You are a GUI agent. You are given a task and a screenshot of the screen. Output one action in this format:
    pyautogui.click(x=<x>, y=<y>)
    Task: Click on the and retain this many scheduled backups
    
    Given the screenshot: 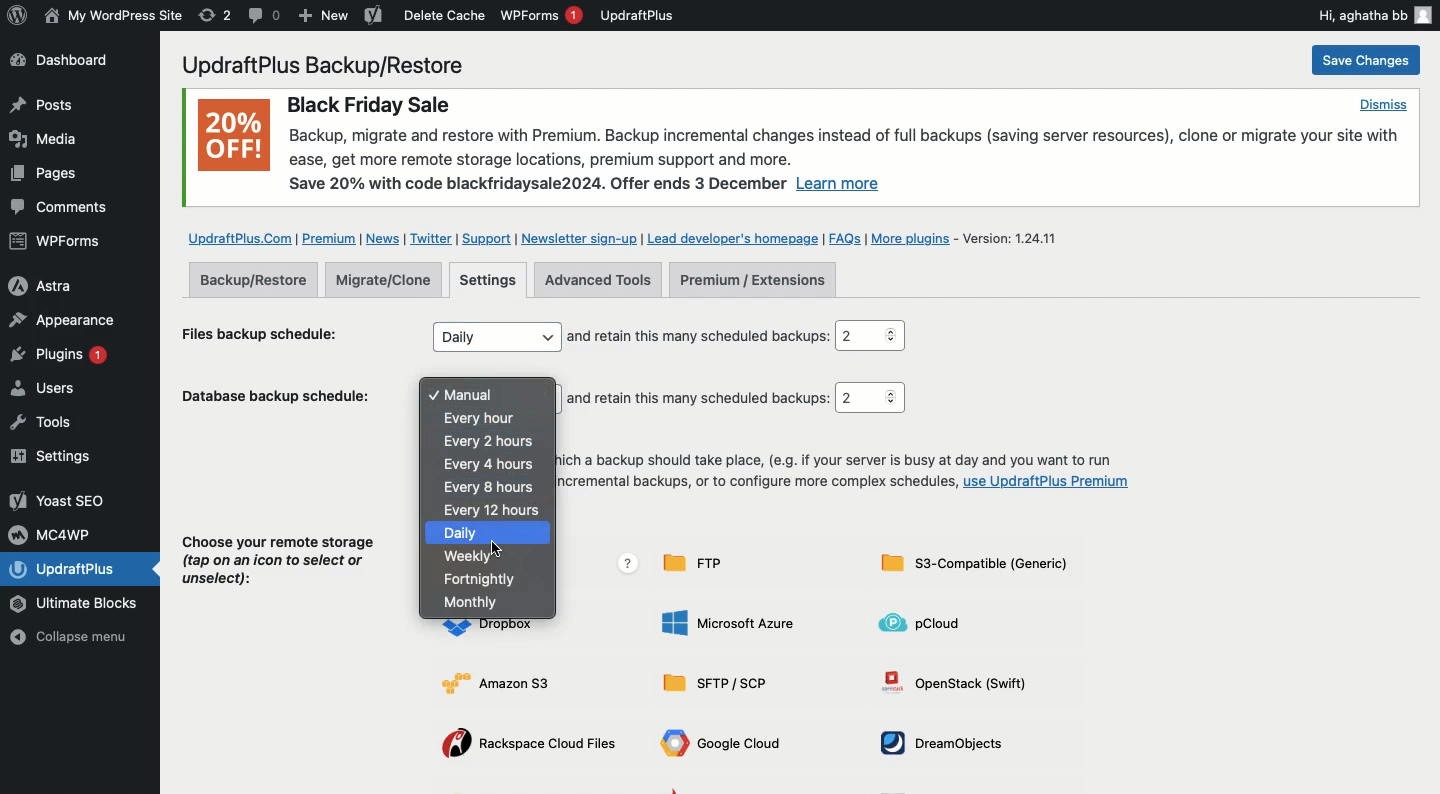 What is the action you would take?
    pyautogui.click(x=698, y=336)
    